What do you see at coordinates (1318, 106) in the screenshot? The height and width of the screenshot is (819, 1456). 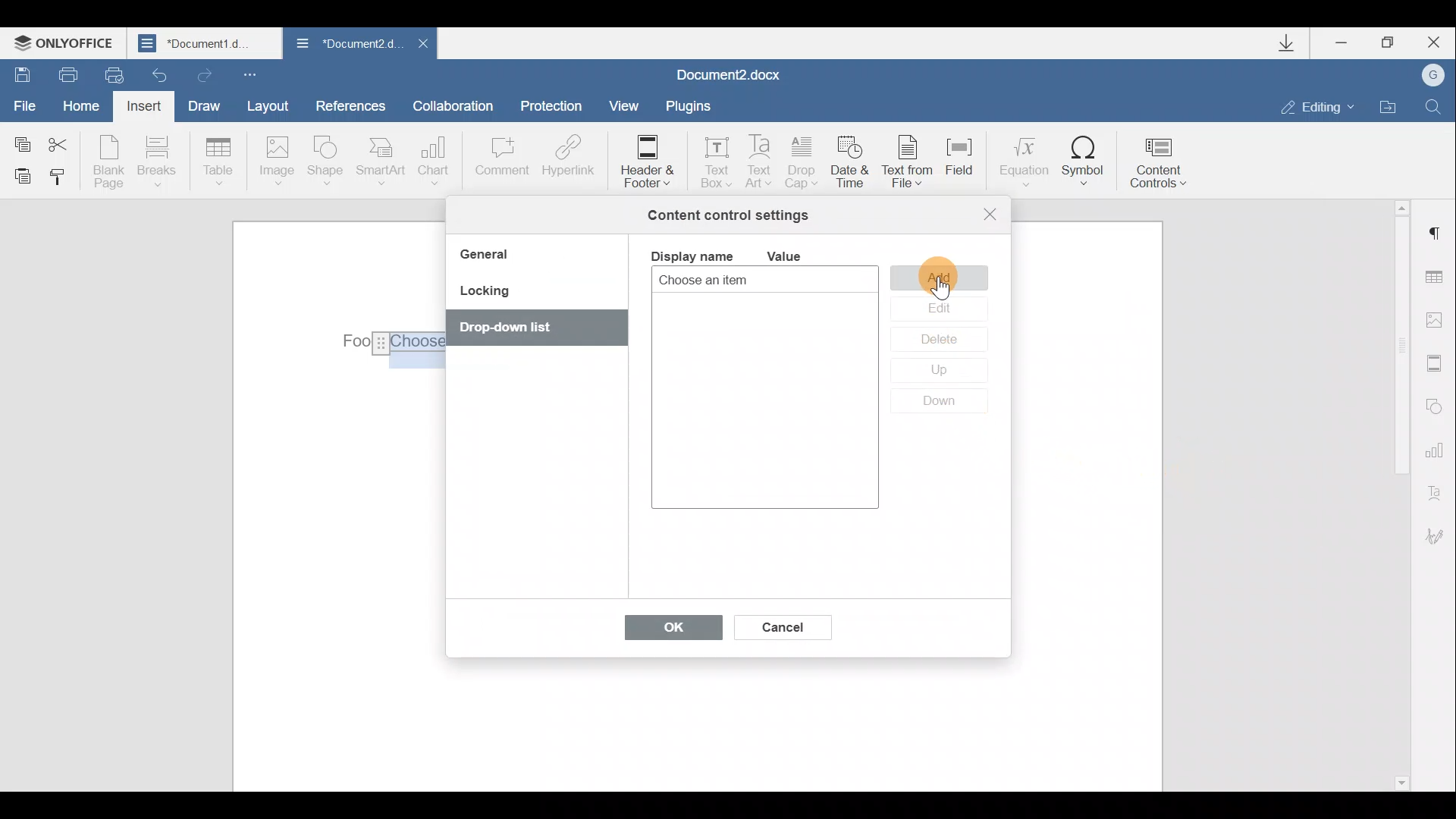 I see `Editing mode` at bounding box center [1318, 106].